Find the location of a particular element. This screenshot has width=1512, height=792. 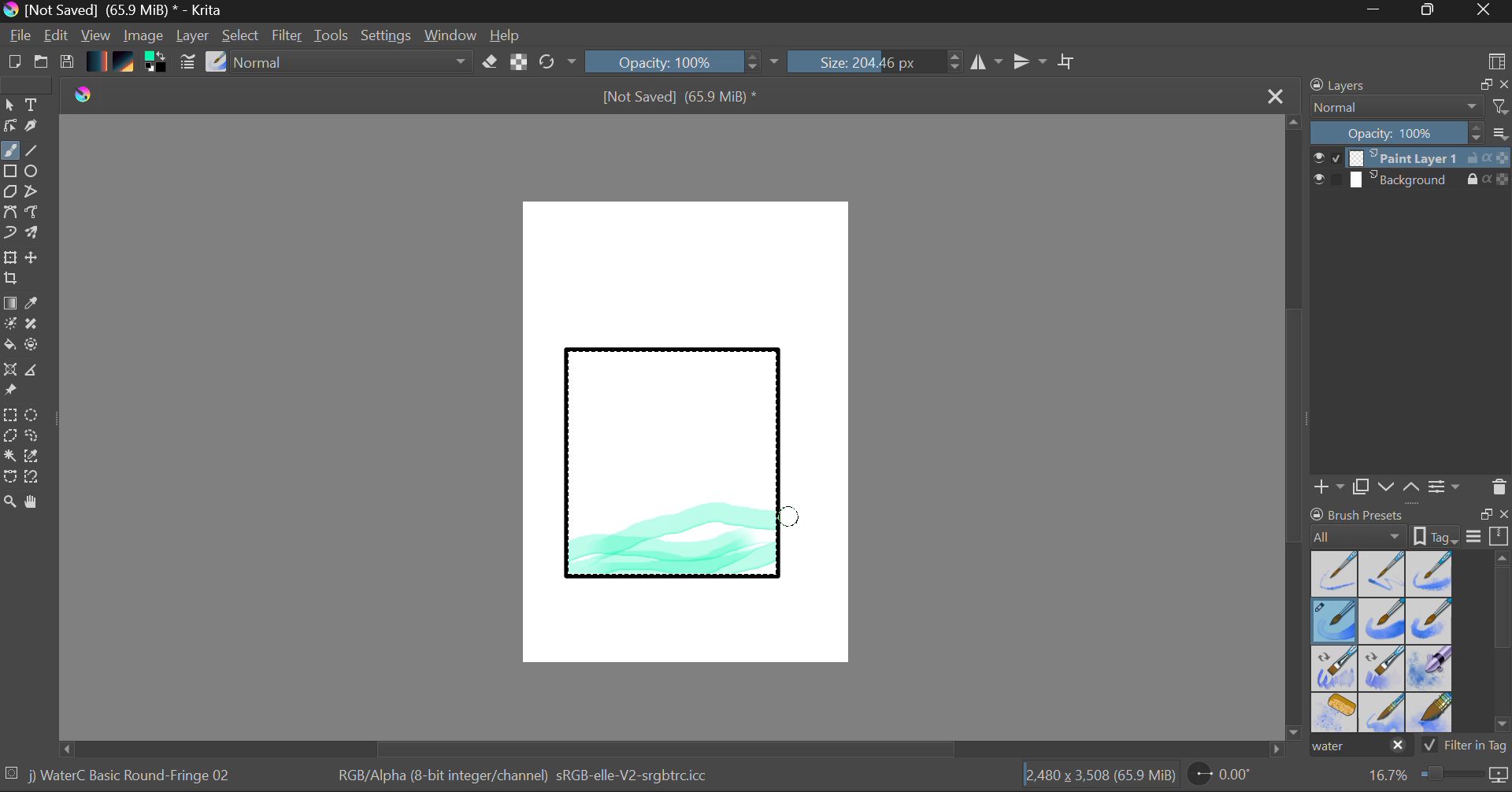

Move Layer Down is located at coordinates (1388, 487).